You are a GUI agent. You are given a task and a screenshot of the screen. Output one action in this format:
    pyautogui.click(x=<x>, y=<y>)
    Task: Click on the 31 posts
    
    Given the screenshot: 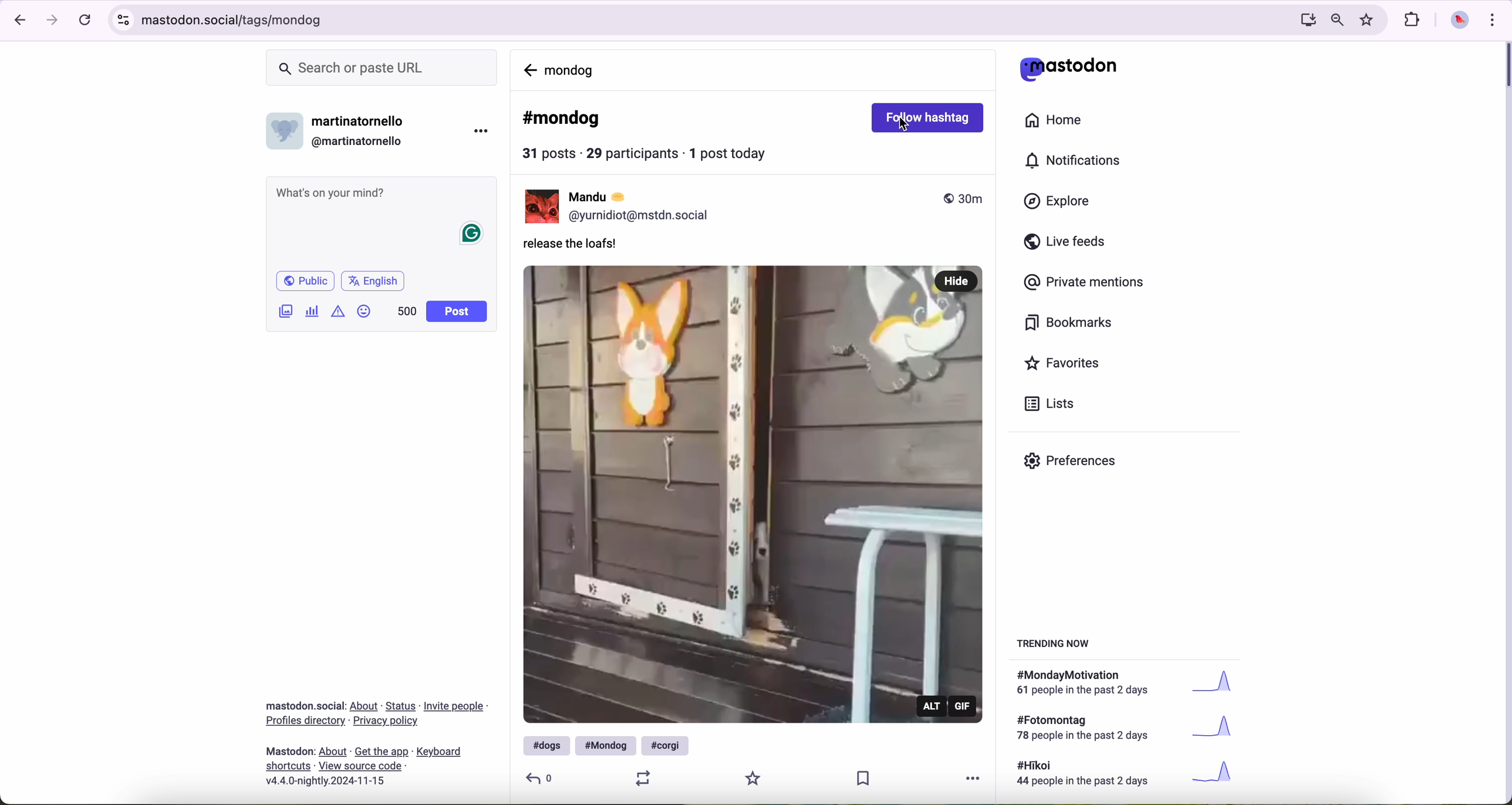 What is the action you would take?
    pyautogui.click(x=551, y=155)
    